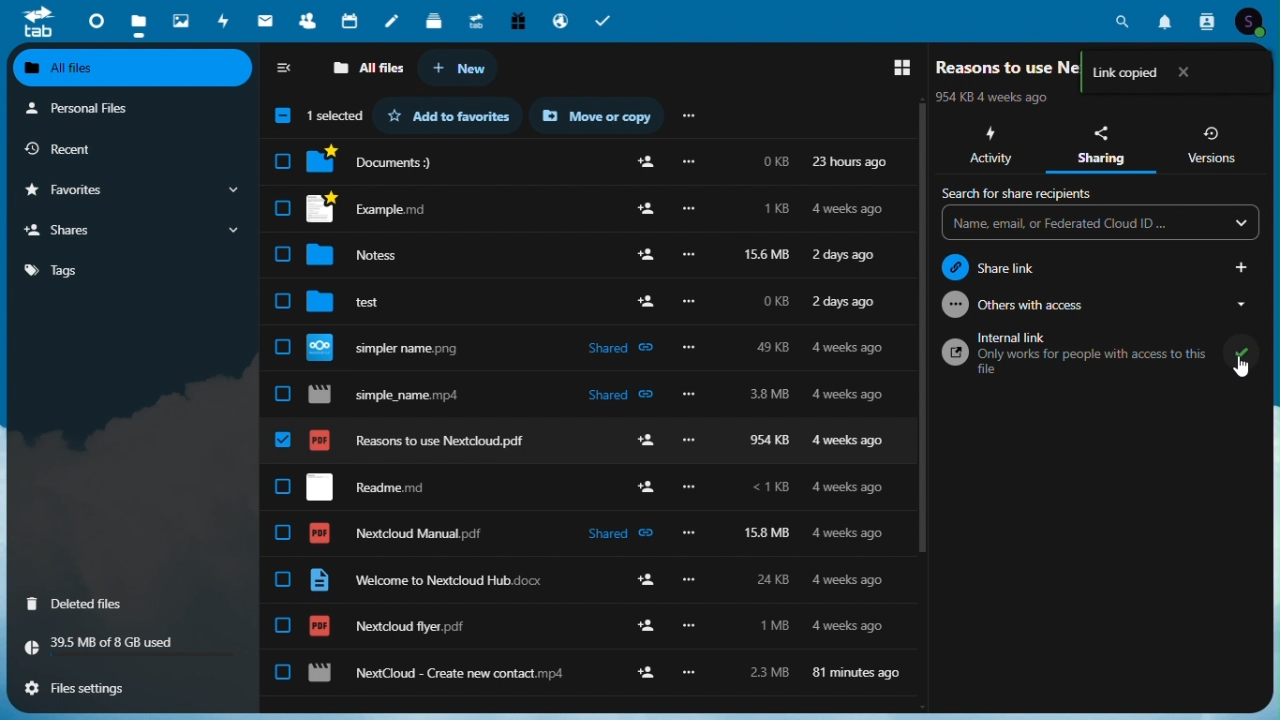 The width and height of the screenshot is (1280, 720). Describe the element at coordinates (384, 161) in the screenshot. I see `documents` at that location.